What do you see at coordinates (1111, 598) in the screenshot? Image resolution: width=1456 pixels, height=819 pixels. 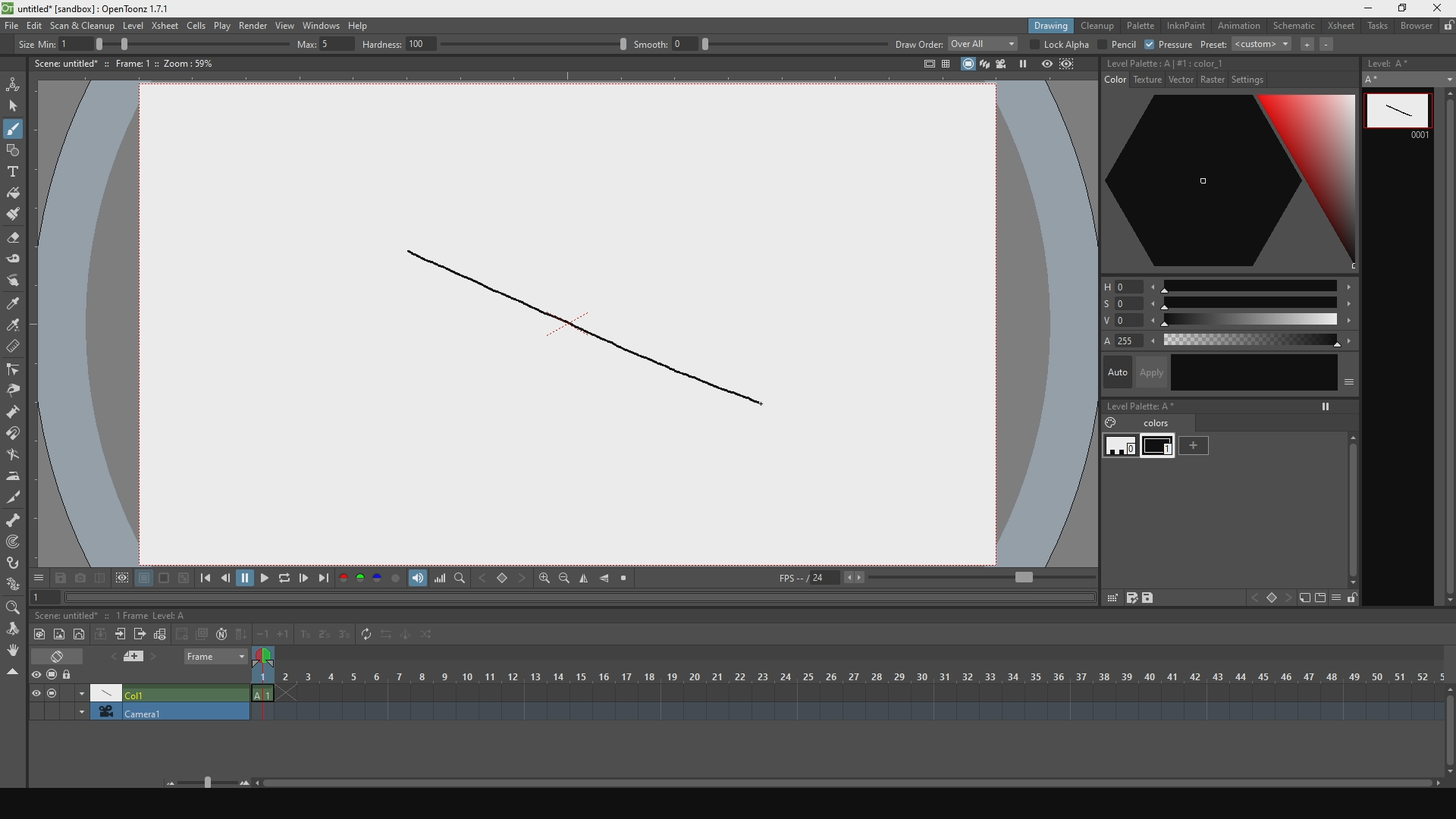 I see `grid` at bounding box center [1111, 598].